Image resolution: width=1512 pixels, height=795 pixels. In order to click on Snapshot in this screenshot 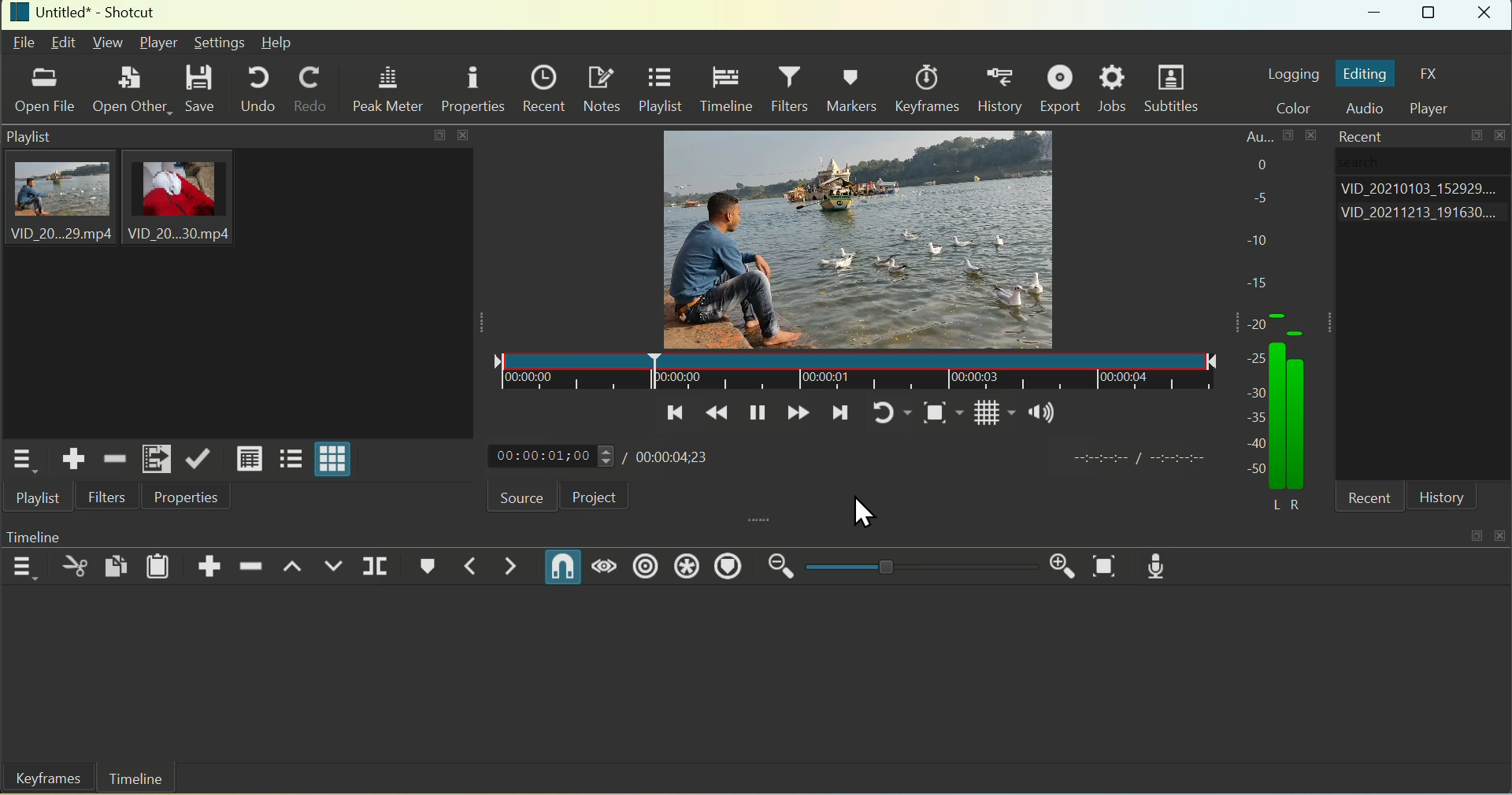, I will do `click(933, 416)`.